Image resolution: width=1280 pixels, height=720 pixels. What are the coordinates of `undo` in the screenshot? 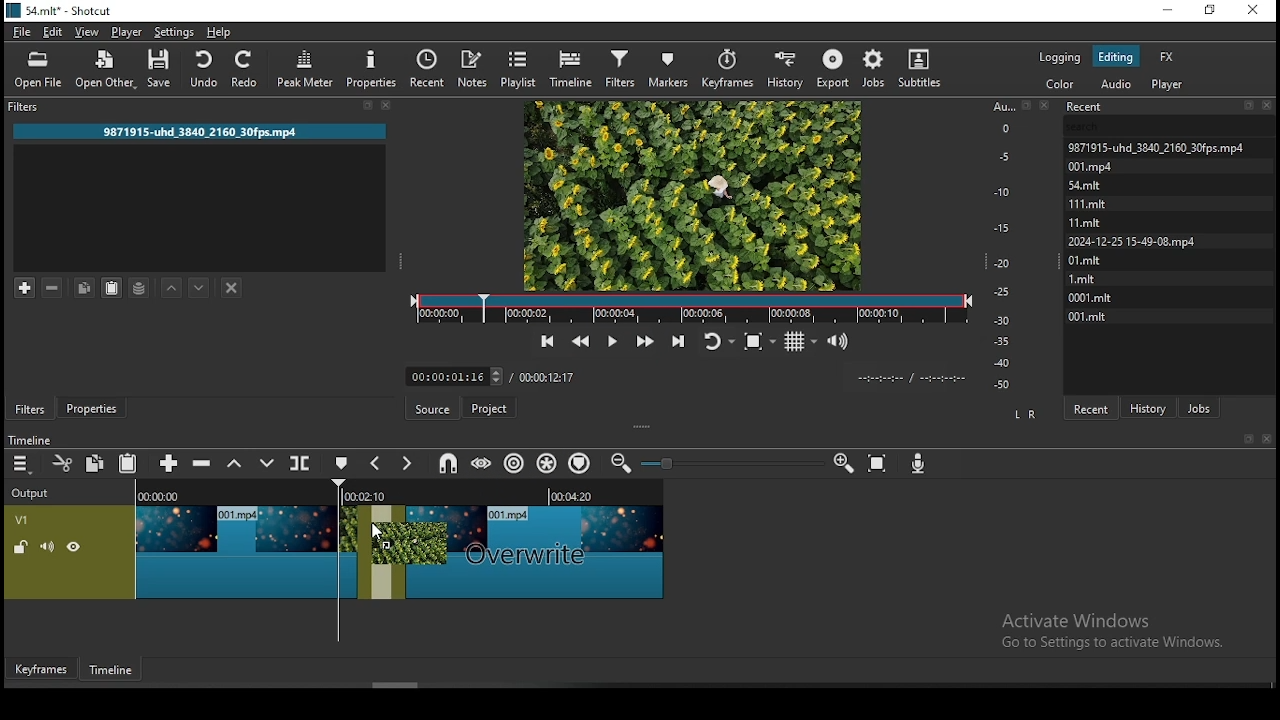 It's located at (203, 68).